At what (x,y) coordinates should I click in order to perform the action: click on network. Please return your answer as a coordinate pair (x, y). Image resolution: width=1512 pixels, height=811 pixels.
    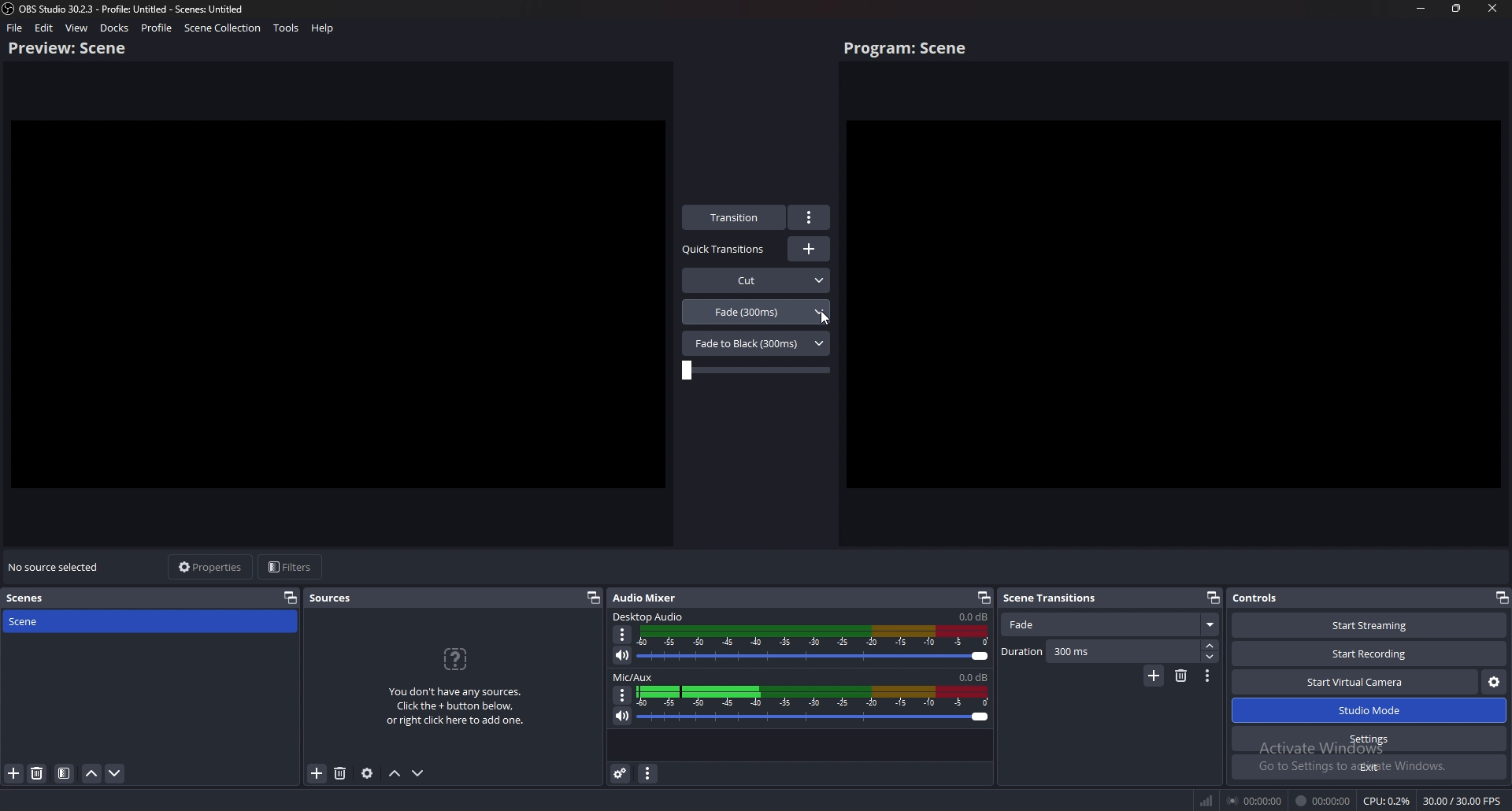
    Looking at the image, I should click on (1204, 801).